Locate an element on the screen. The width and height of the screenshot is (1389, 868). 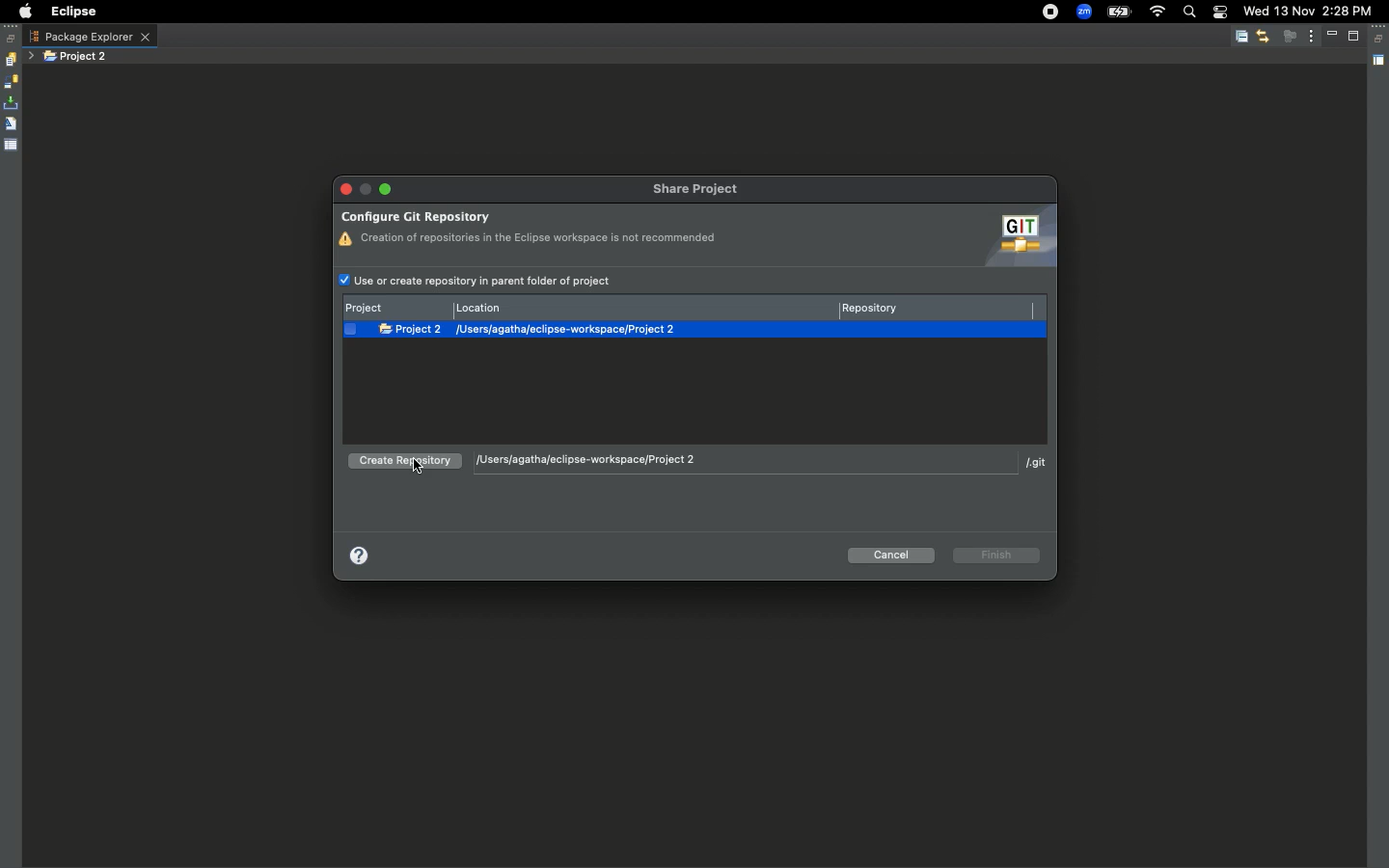
Icon is located at coordinates (1015, 237).